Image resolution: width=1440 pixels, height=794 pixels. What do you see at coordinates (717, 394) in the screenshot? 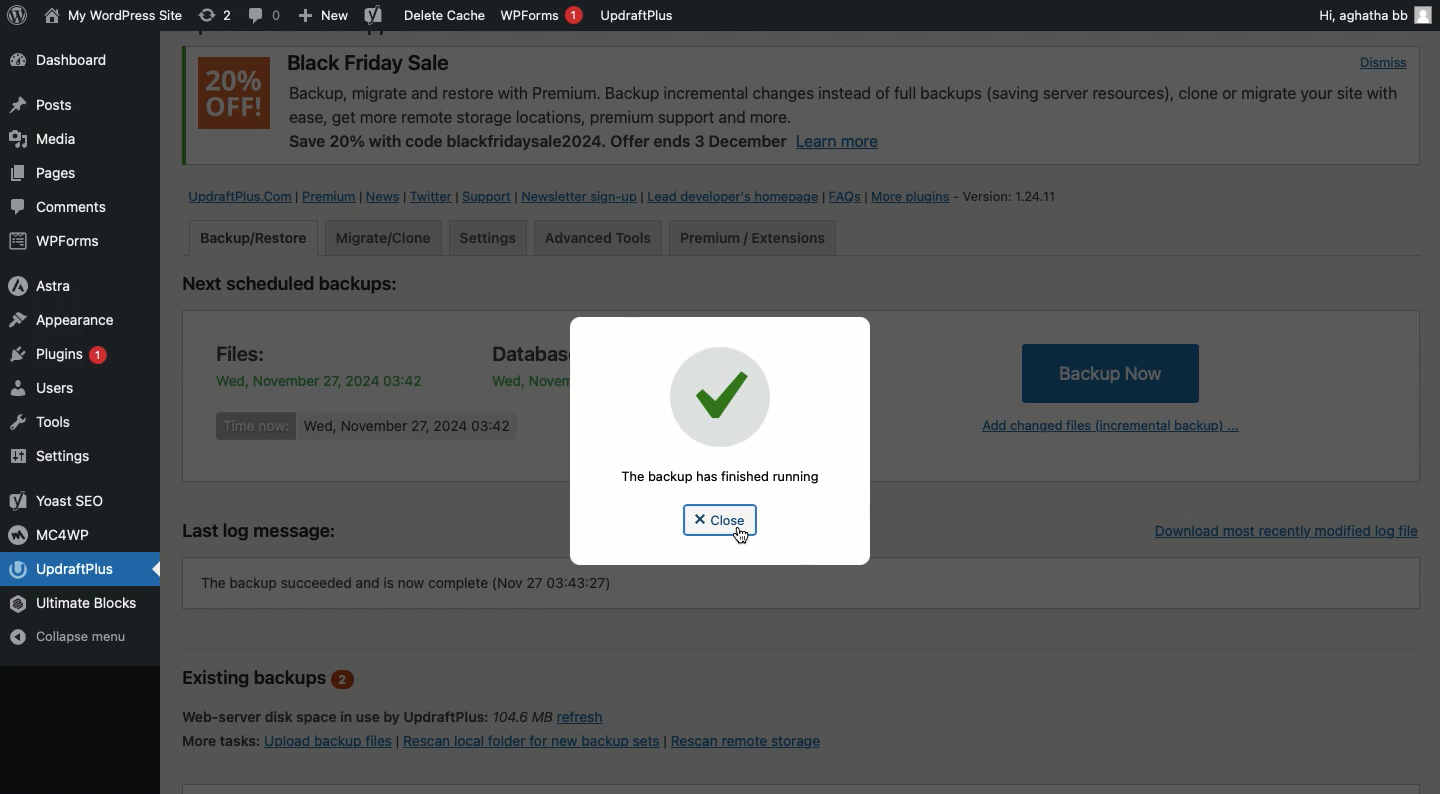
I see `Emblem` at bounding box center [717, 394].